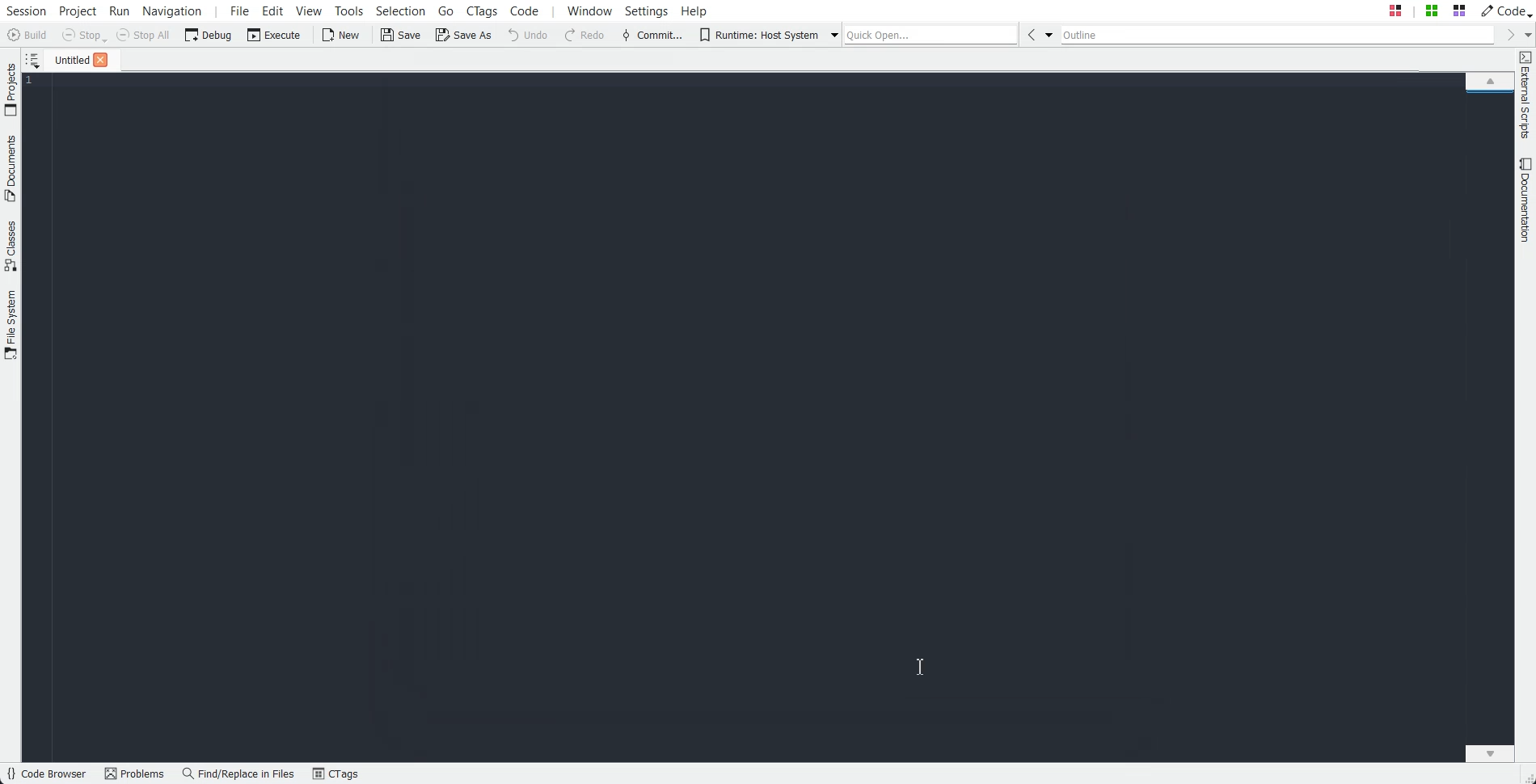 The width and height of the screenshot is (1536, 784). What do you see at coordinates (1508, 35) in the screenshot?
I see `Go forward` at bounding box center [1508, 35].